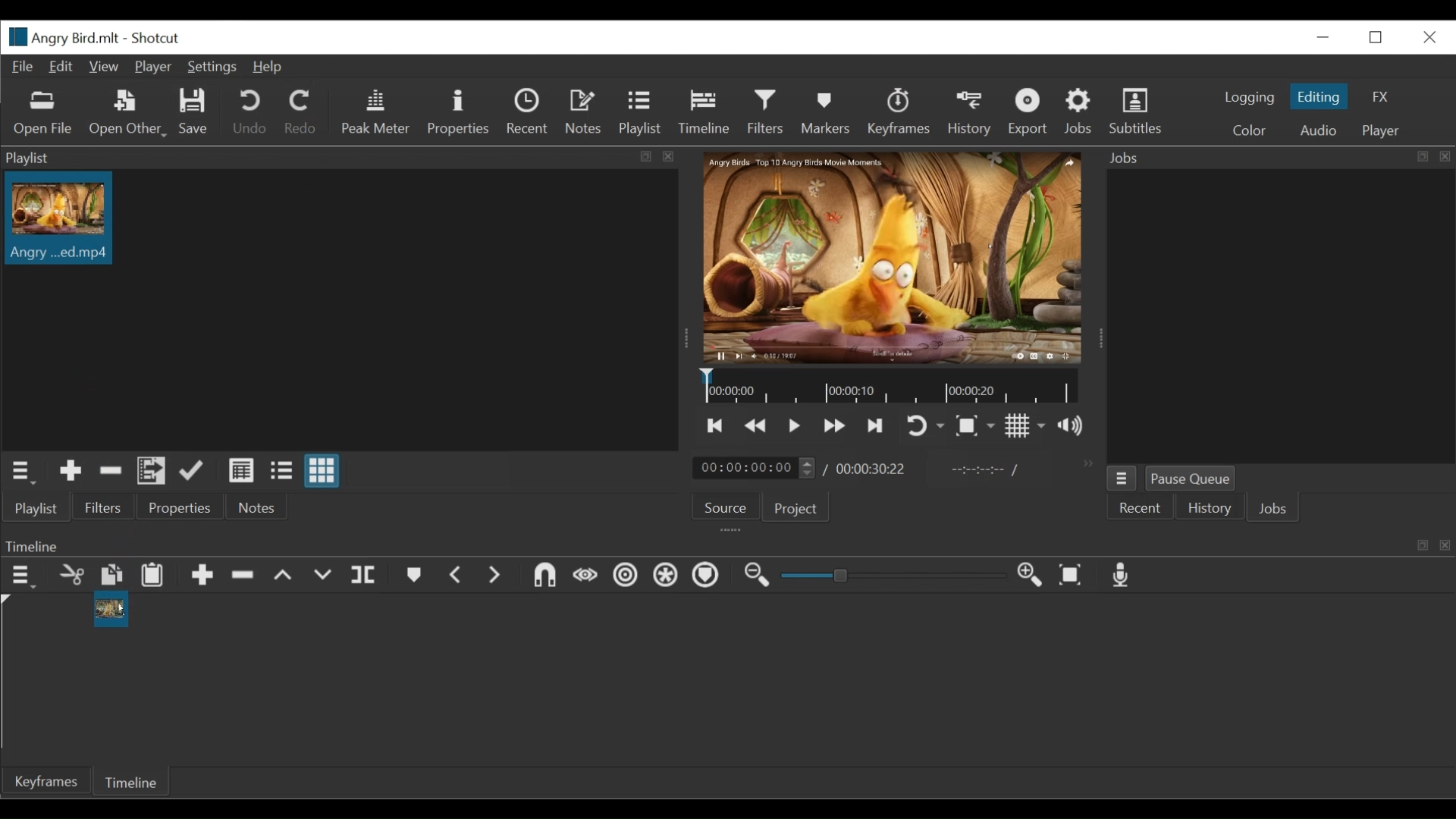 This screenshot has width=1456, height=819. I want to click on Add files to the playlist, so click(152, 472).